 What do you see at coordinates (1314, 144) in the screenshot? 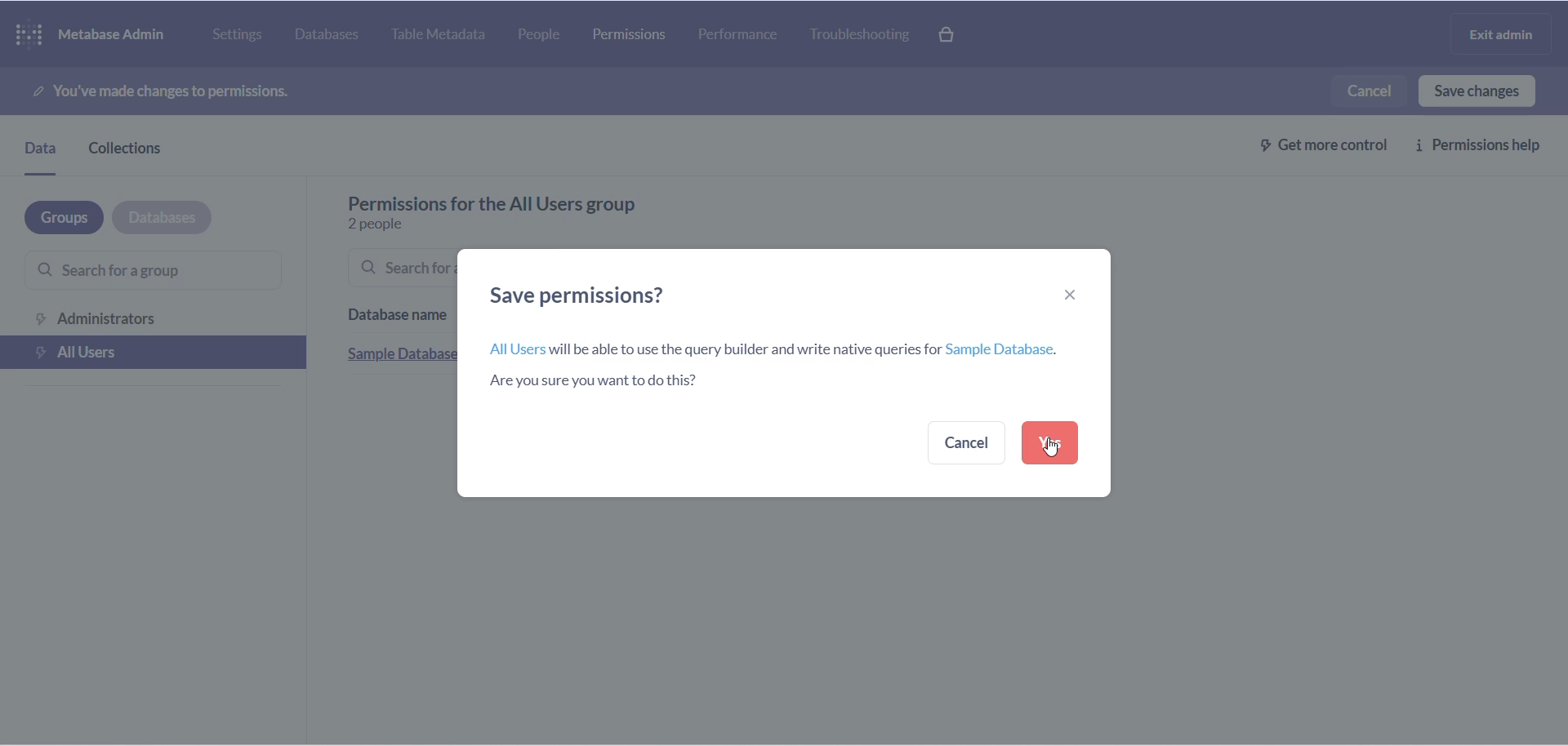
I see `get more control` at bounding box center [1314, 144].